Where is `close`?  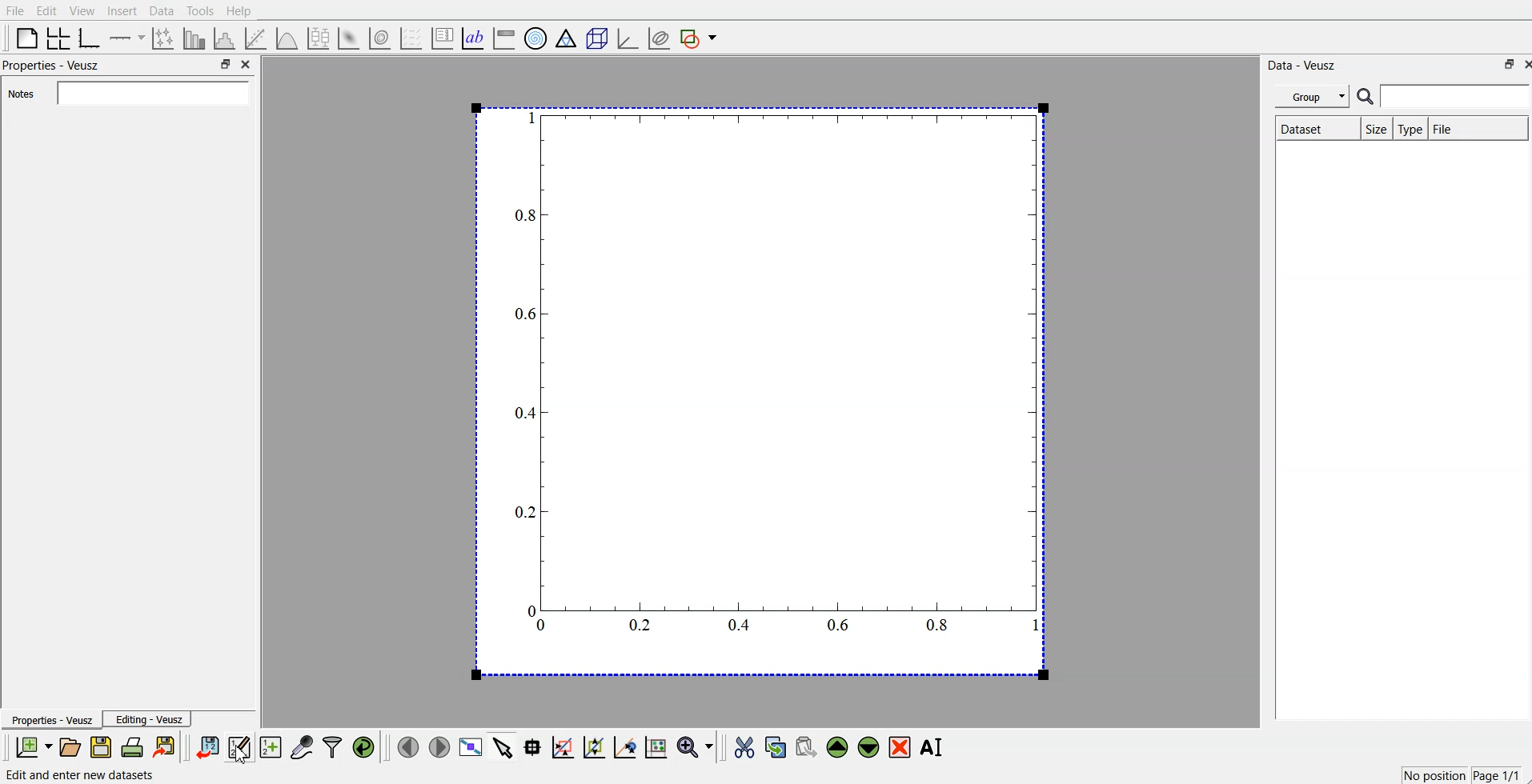 close is located at coordinates (1522, 64).